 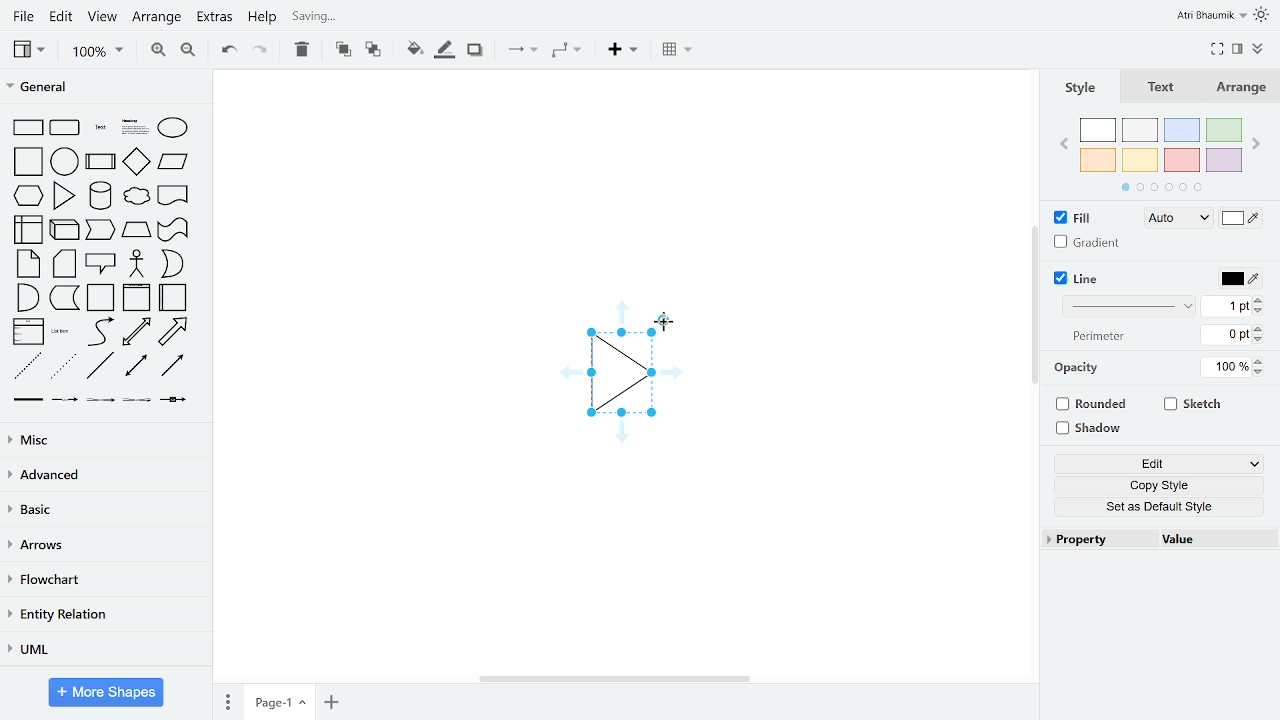 I want to click on add page, so click(x=330, y=700).